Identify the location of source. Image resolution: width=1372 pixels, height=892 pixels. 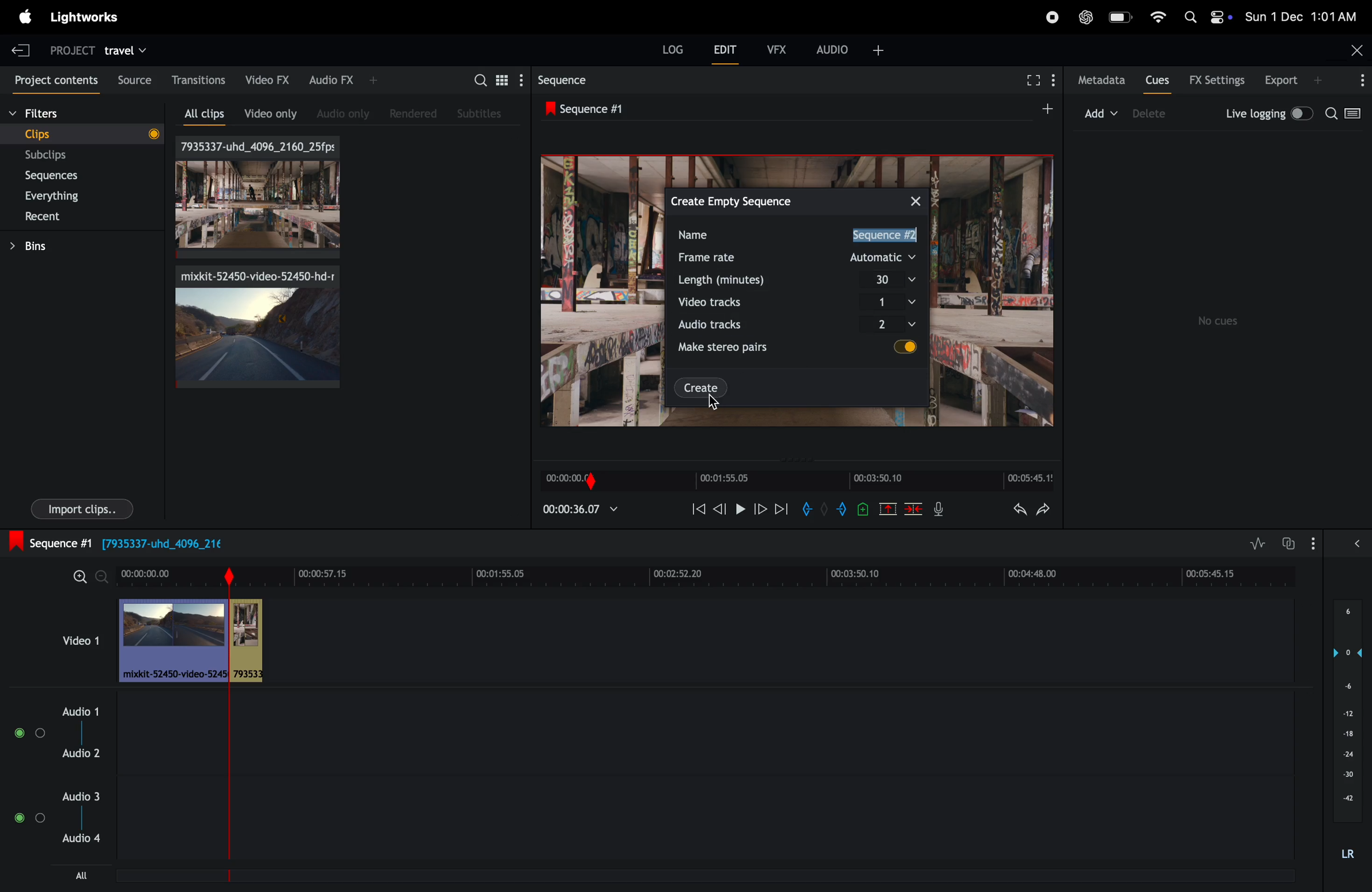
(133, 79).